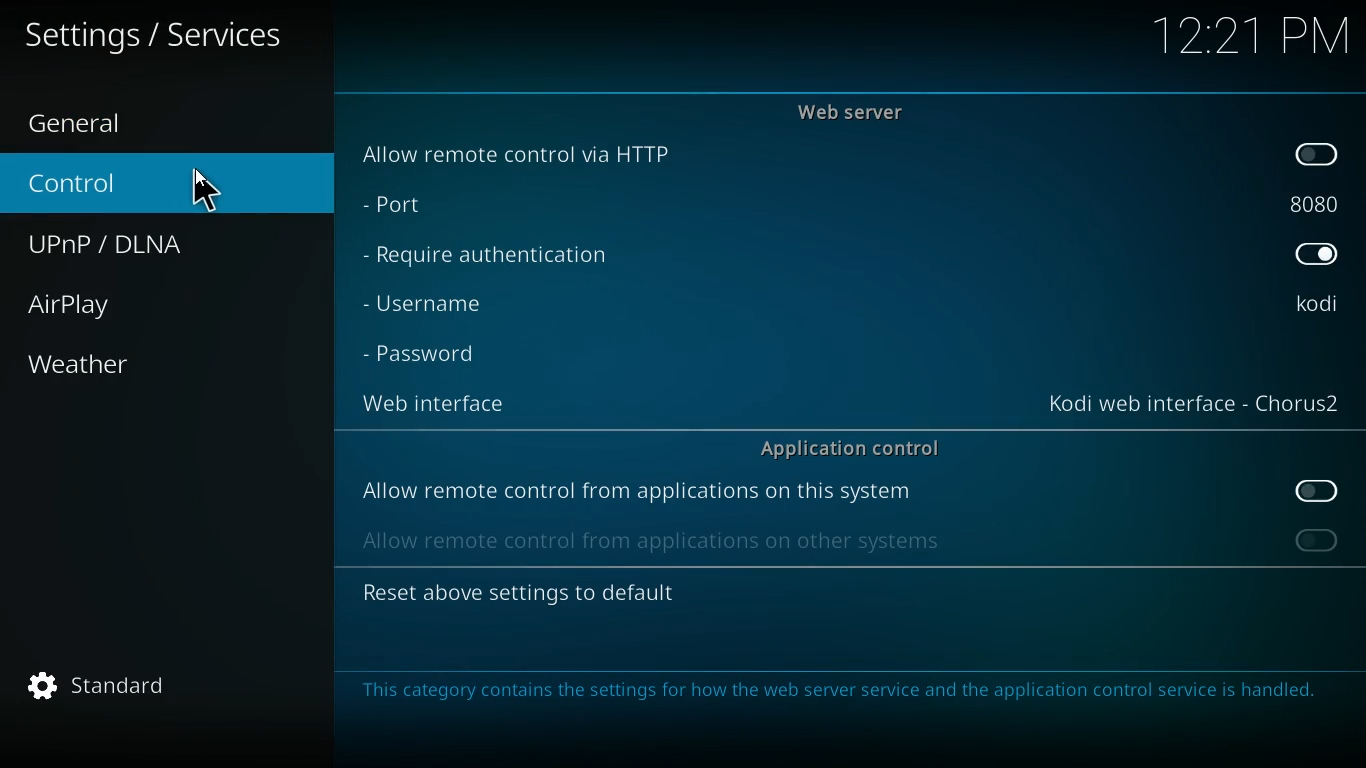 The width and height of the screenshot is (1366, 768). What do you see at coordinates (122, 691) in the screenshot?
I see `standard` at bounding box center [122, 691].